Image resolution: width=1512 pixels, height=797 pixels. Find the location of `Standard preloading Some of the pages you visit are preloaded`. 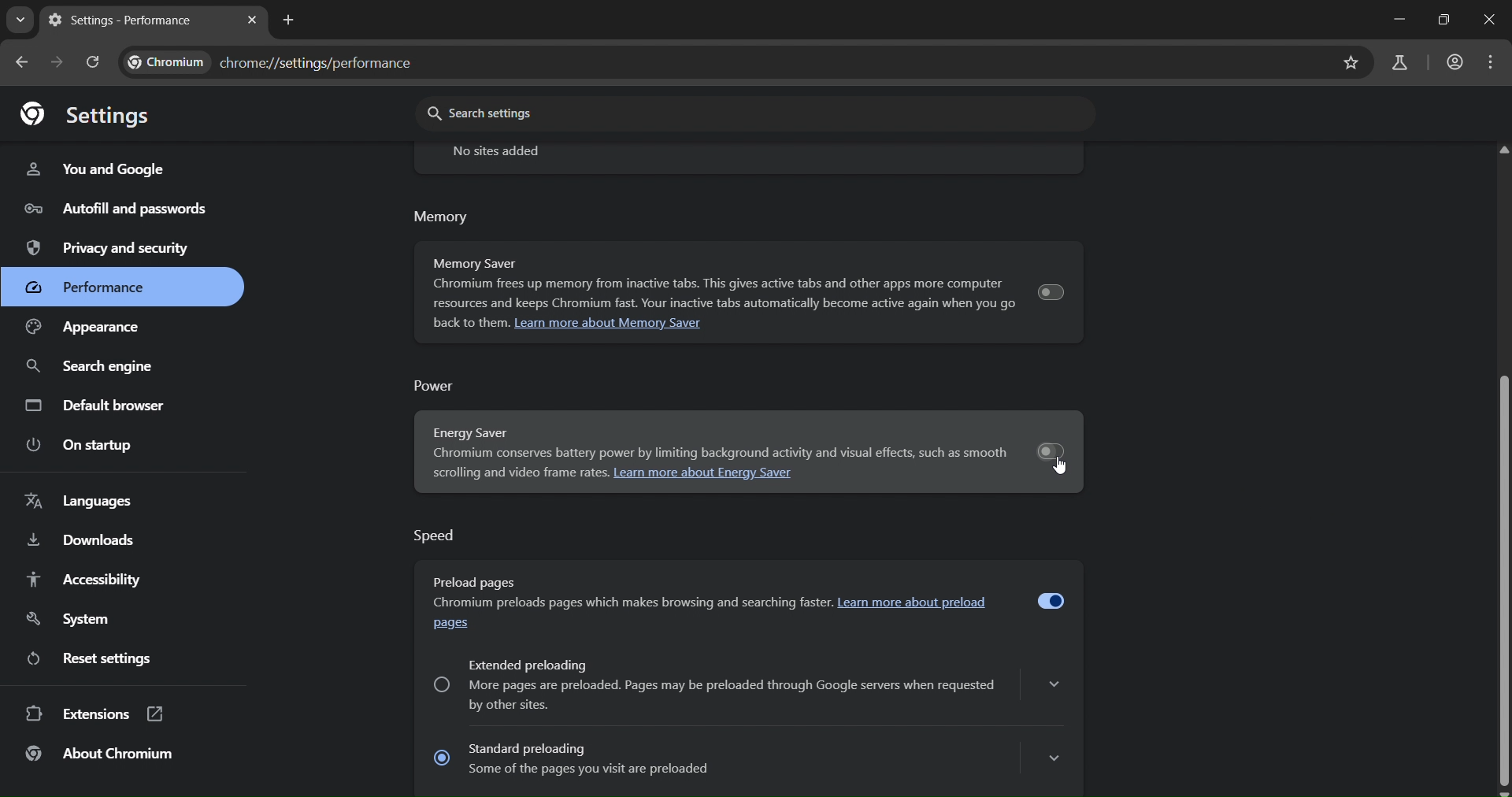

Standard preloading Some of the pages you visit are preloaded is located at coordinates (728, 762).